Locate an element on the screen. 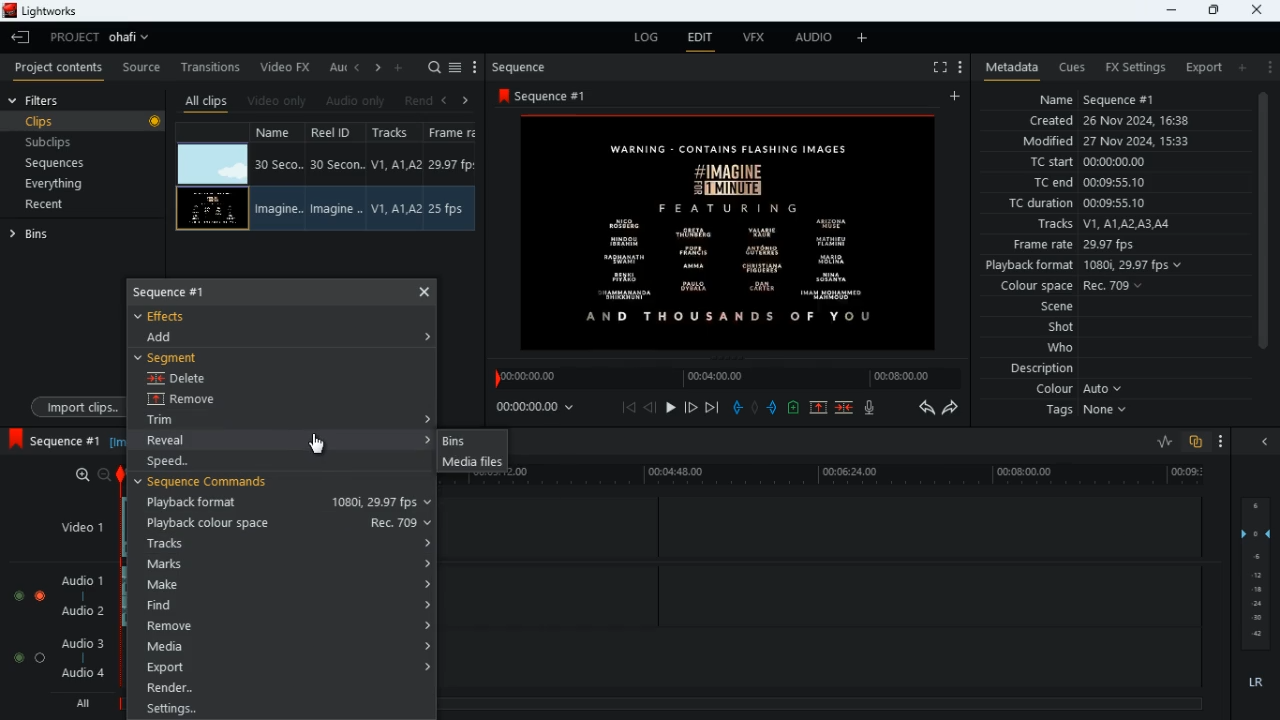 The image size is (1280, 720). frame rate is located at coordinates (1095, 244).